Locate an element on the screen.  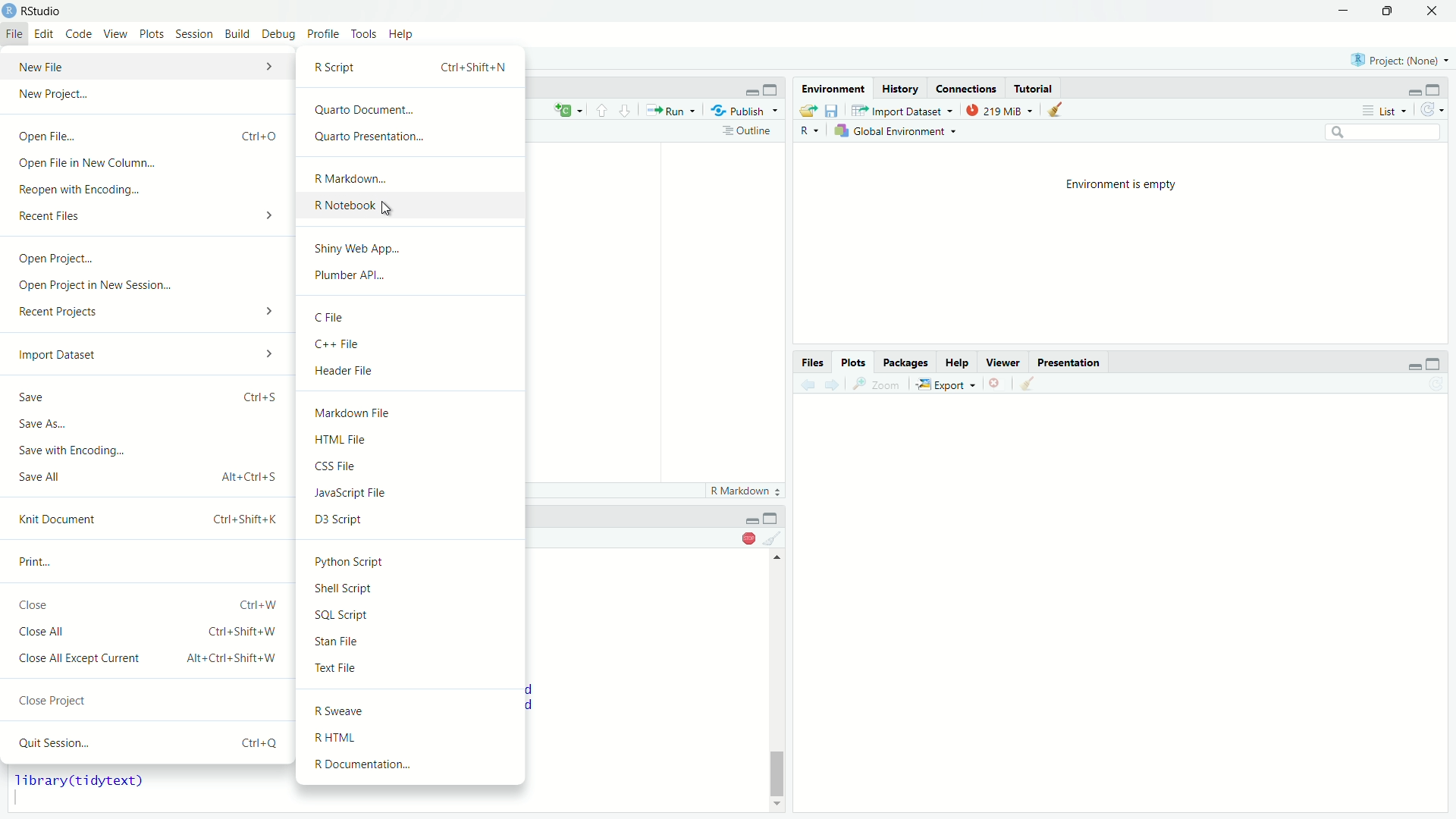
next plot is located at coordinates (835, 385).